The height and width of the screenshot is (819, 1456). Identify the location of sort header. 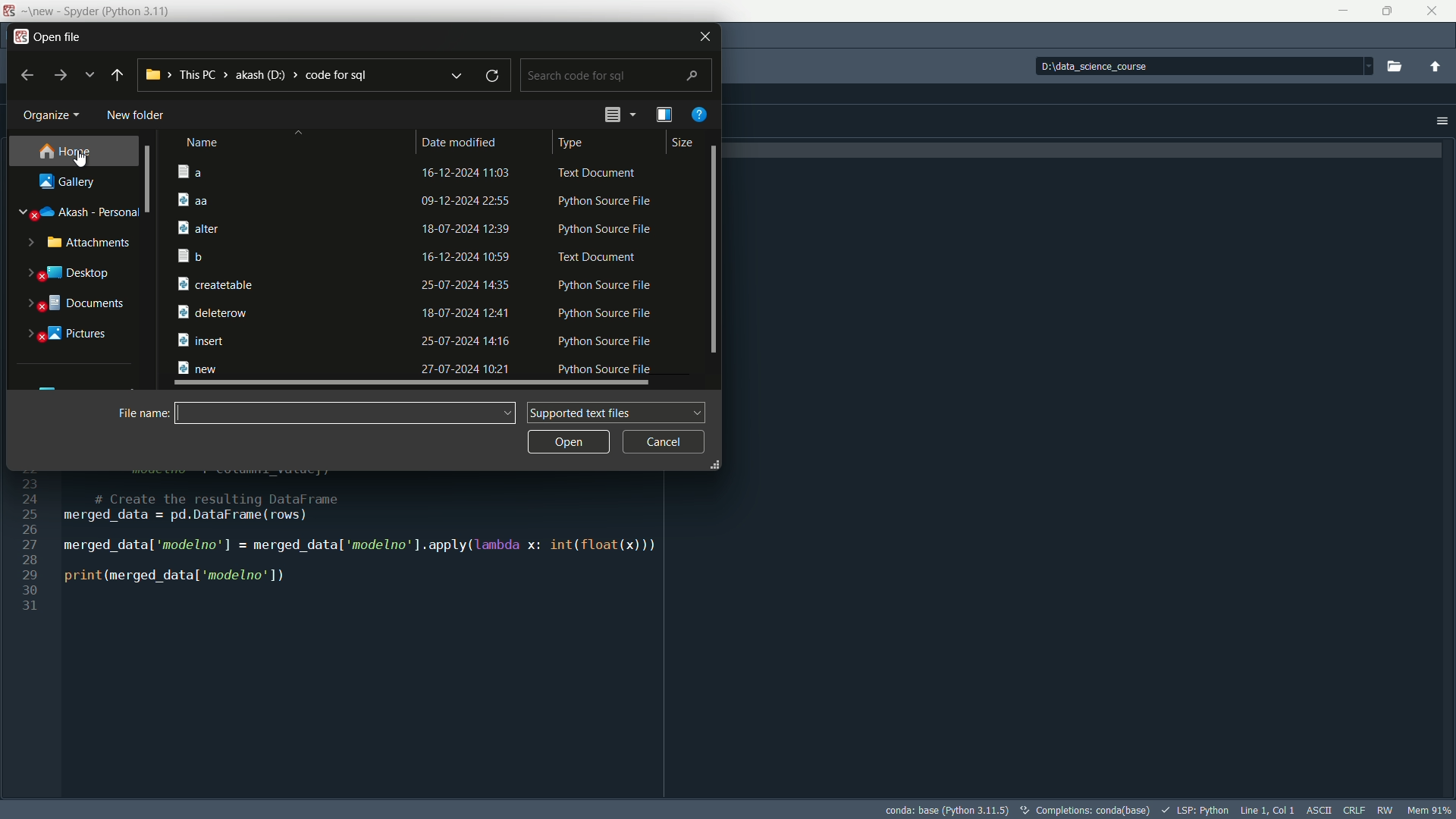
(293, 141).